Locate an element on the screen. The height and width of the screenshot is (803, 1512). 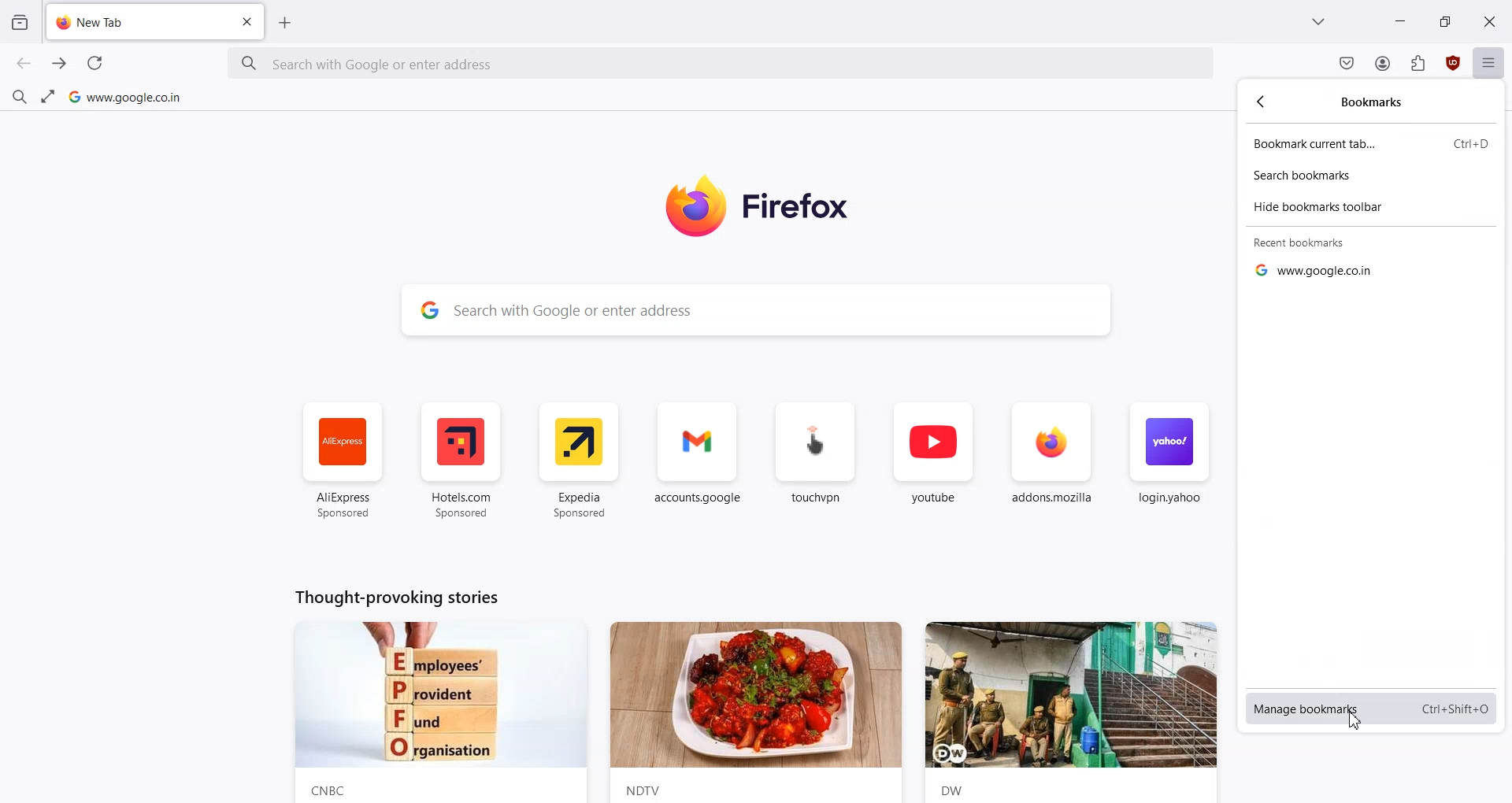
Logo is located at coordinates (780, 206).